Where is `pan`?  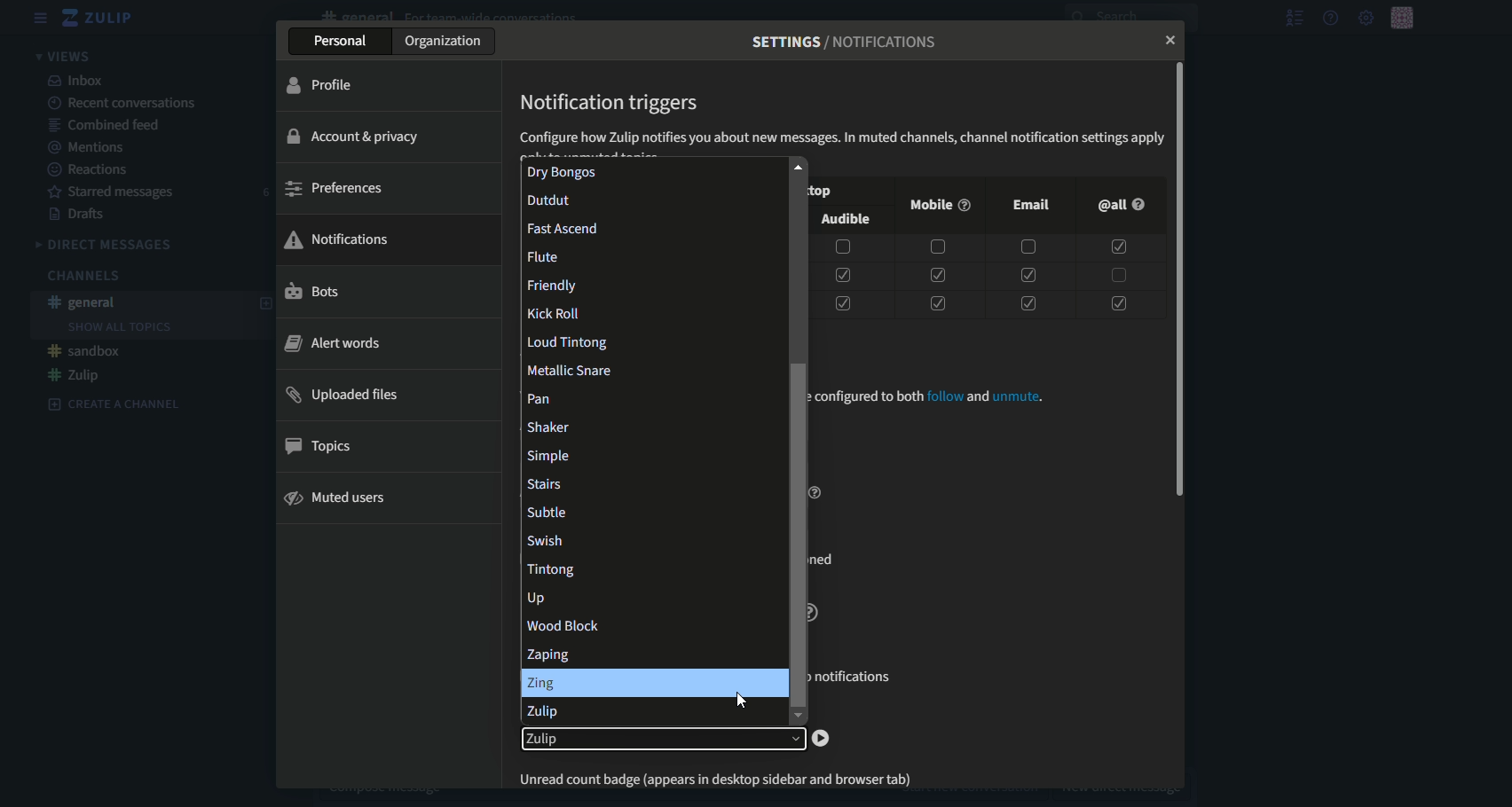
pan is located at coordinates (650, 396).